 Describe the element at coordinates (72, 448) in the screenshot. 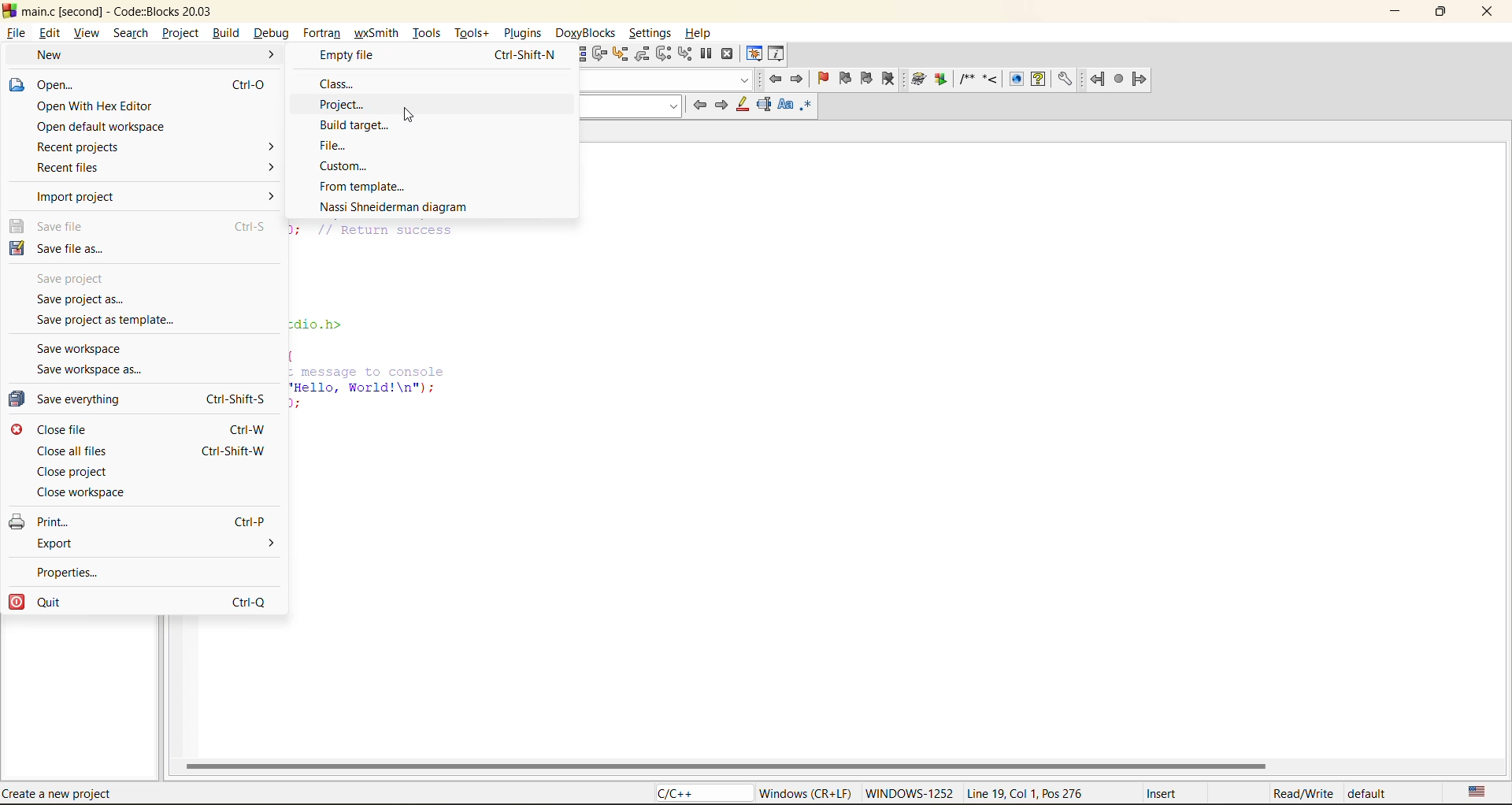

I see `close all files` at that location.